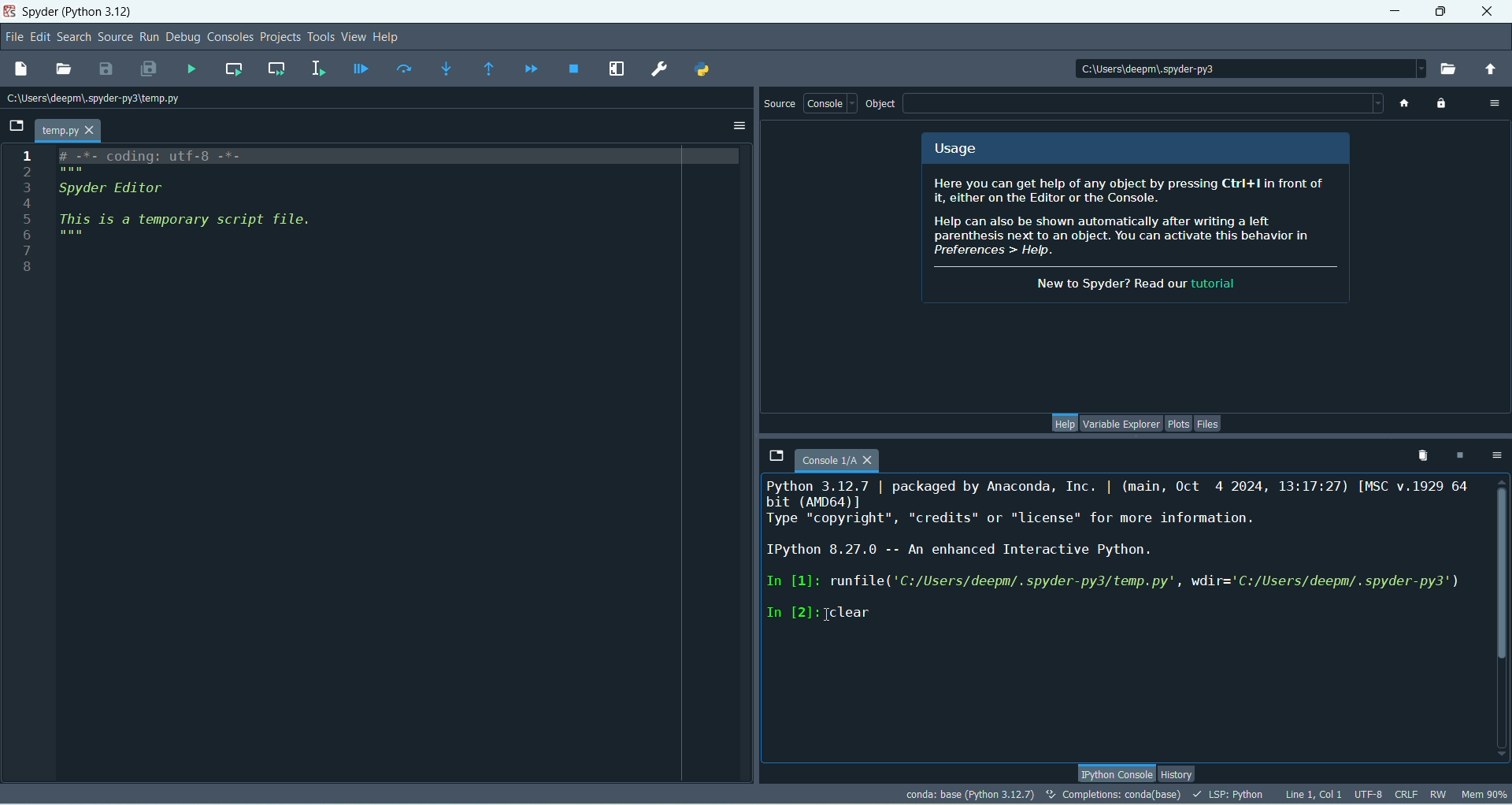 The width and height of the screenshot is (1512, 805). What do you see at coordinates (9, 13) in the screenshot?
I see `logo` at bounding box center [9, 13].